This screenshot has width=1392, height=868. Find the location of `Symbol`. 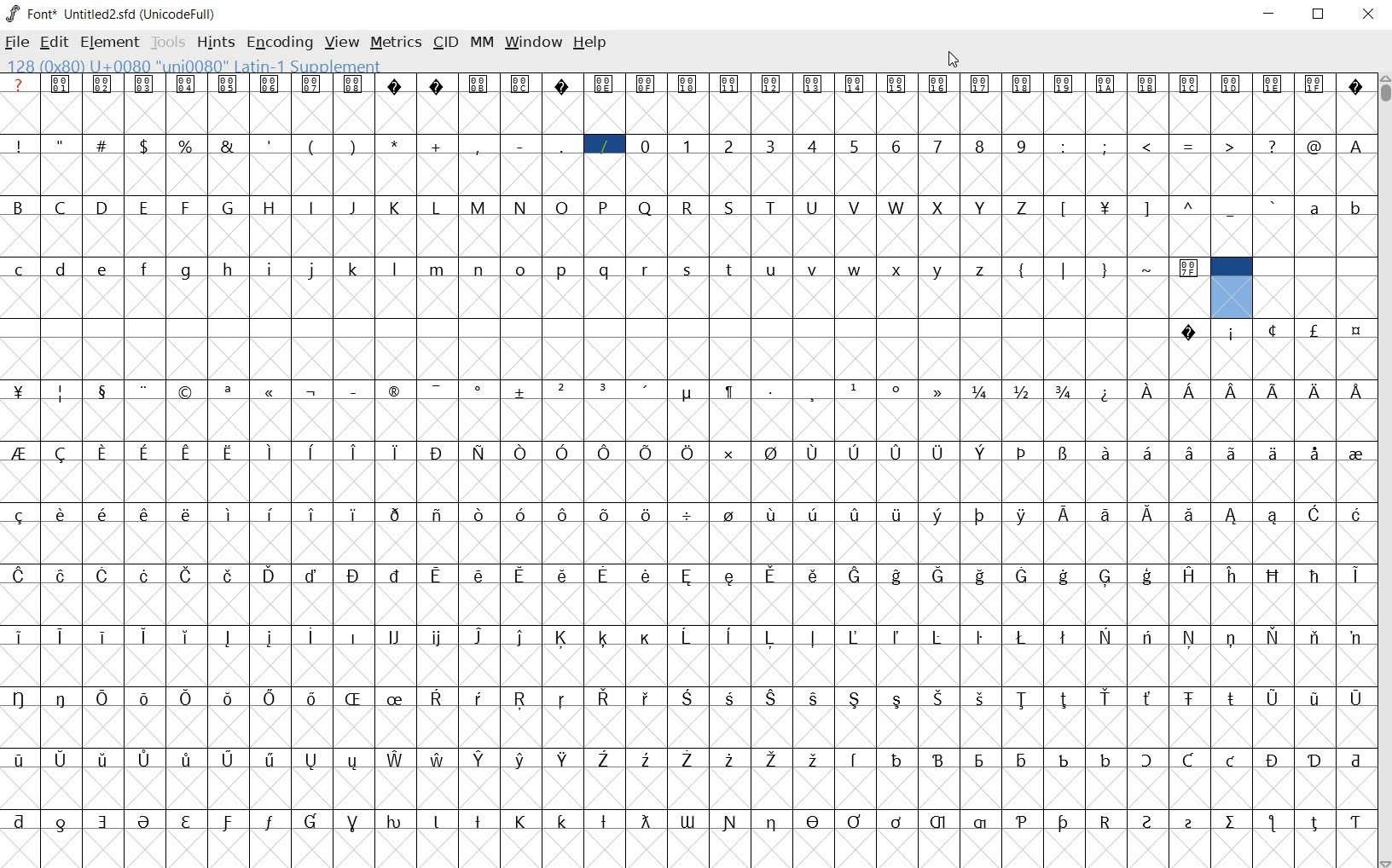

Symbol is located at coordinates (353, 819).